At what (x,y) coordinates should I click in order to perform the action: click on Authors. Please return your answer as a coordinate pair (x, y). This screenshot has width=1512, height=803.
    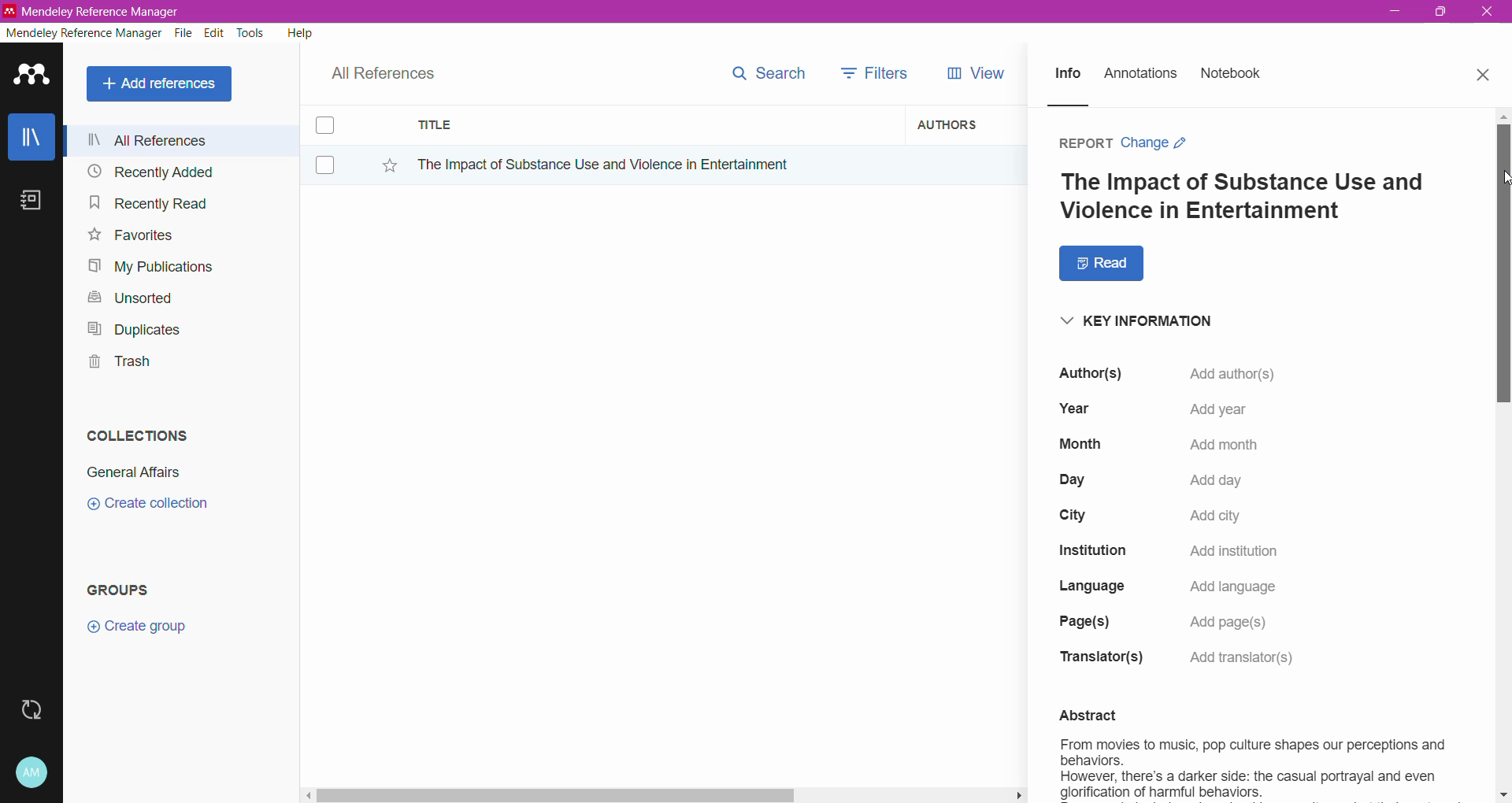
    Looking at the image, I should click on (955, 124).